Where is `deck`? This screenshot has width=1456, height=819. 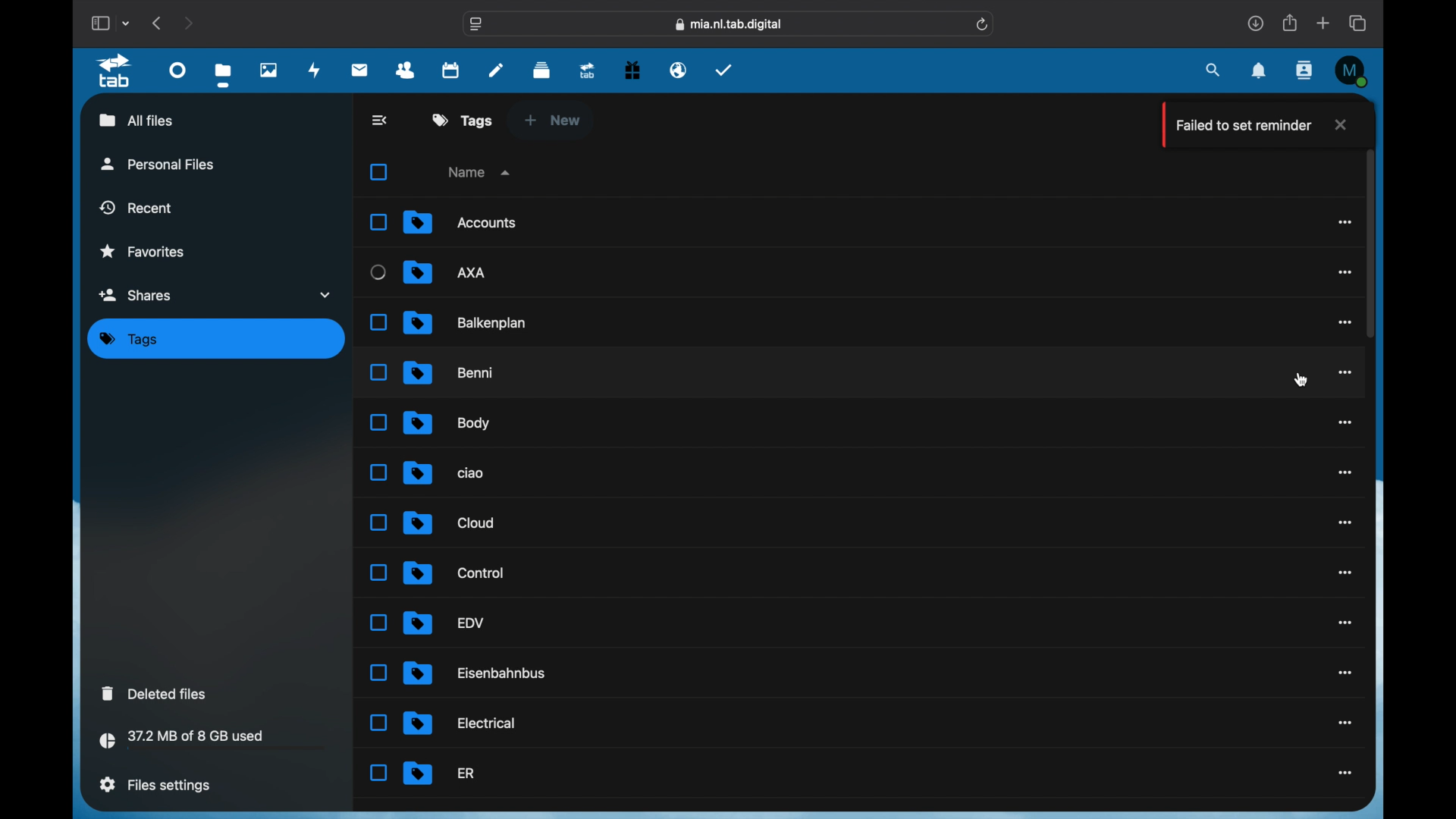
deck is located at coordinates (542, 68).